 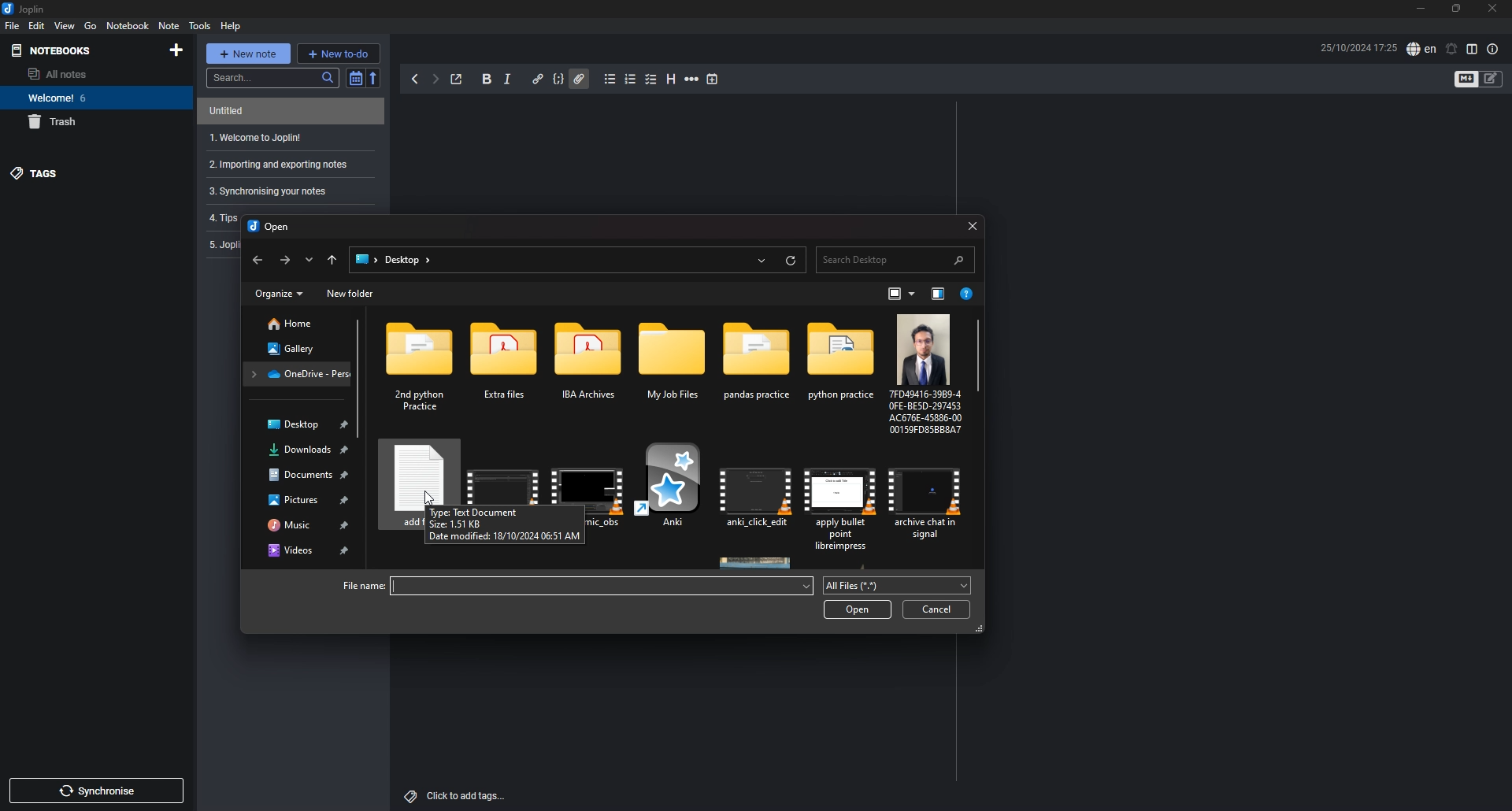 What do you see at coordinates (980, 358) in the screenshot?
I see `scroll bar` at bounding box center [980, 358].